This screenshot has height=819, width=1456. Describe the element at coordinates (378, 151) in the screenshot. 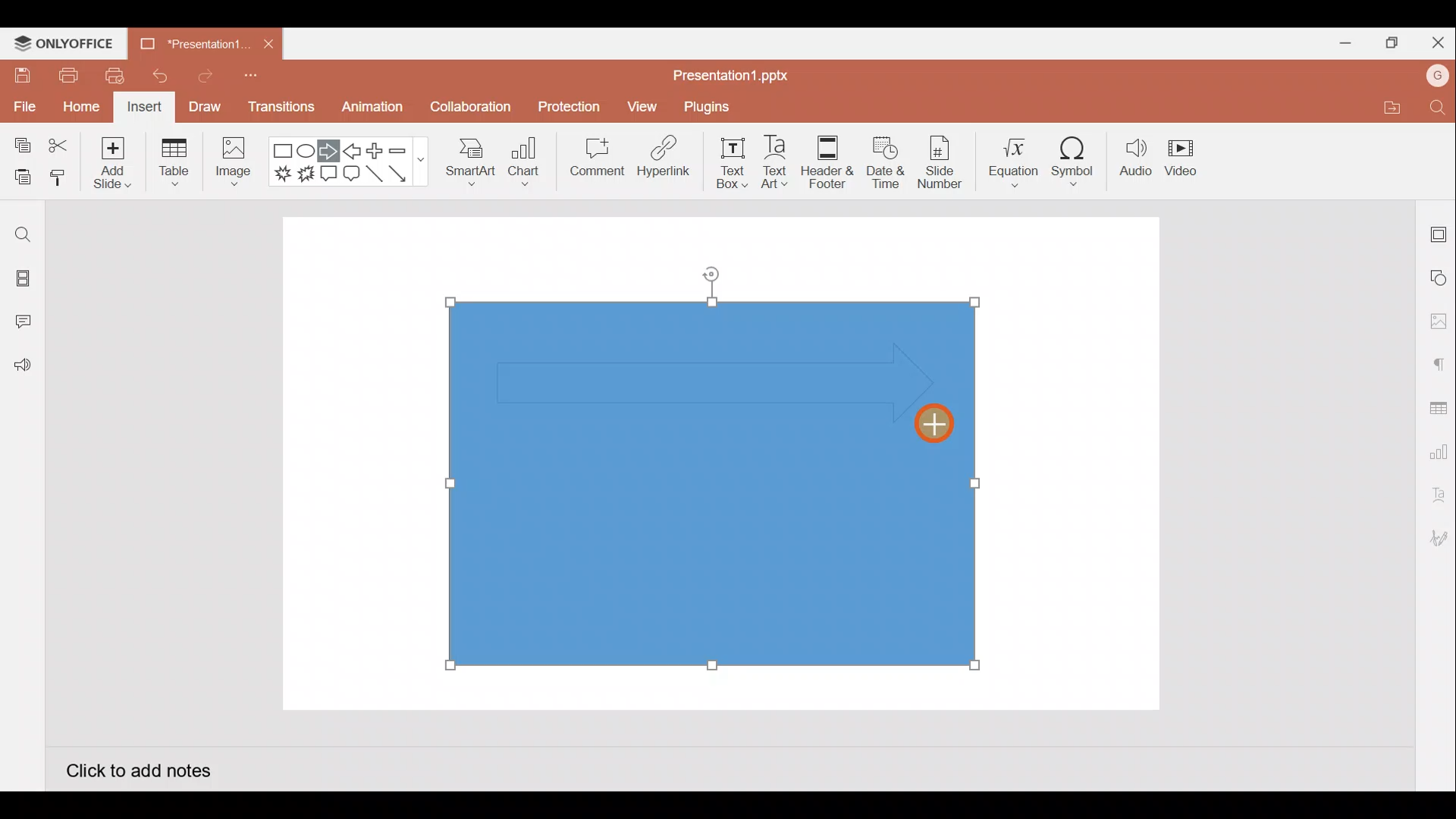

I see `Plus` at that location.